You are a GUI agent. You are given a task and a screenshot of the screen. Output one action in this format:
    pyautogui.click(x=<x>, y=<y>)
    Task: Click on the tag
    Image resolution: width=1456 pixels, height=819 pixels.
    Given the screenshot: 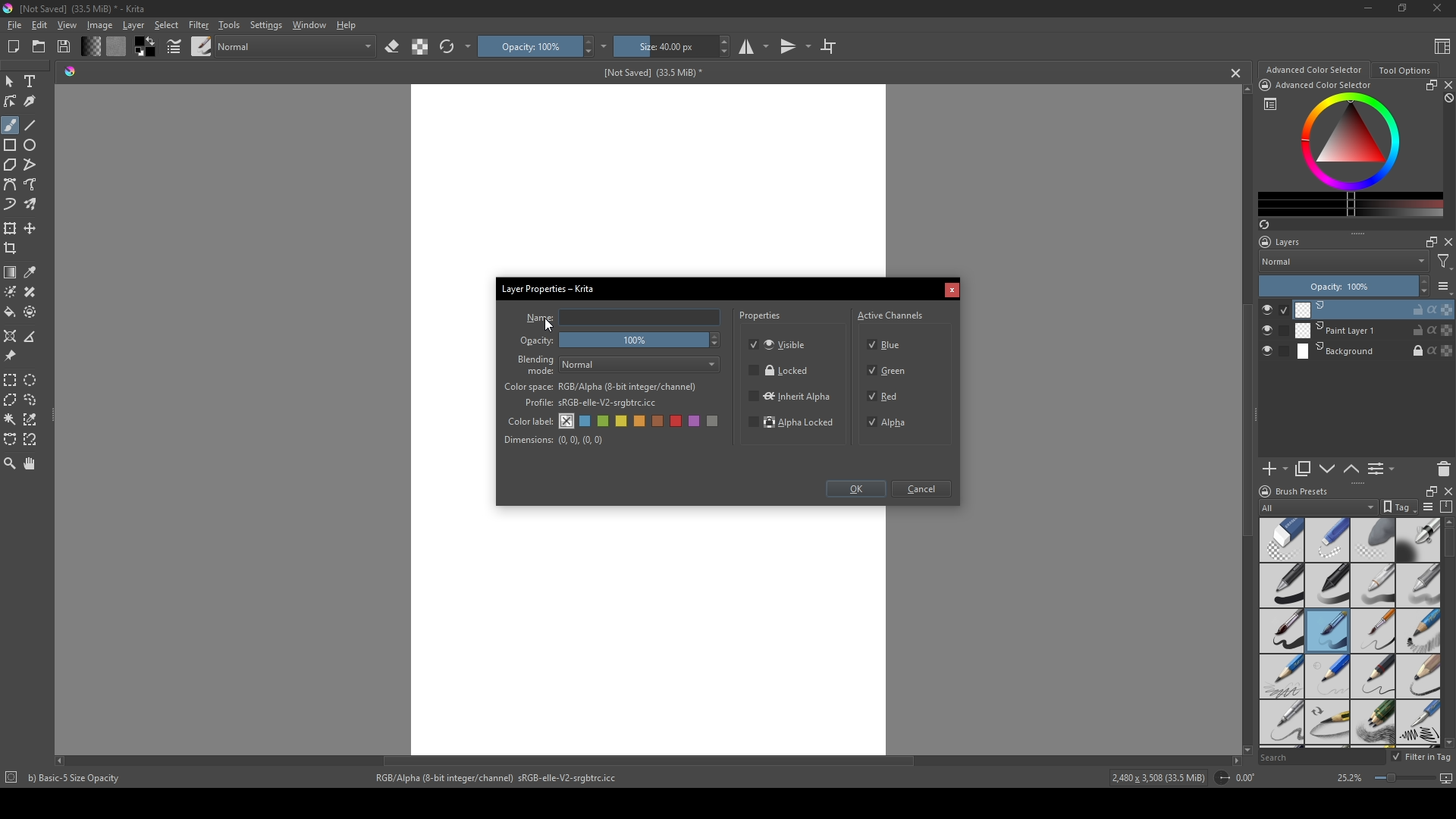 What is the action you would take?
    pyautogui.click(x=1398, y=507)
    